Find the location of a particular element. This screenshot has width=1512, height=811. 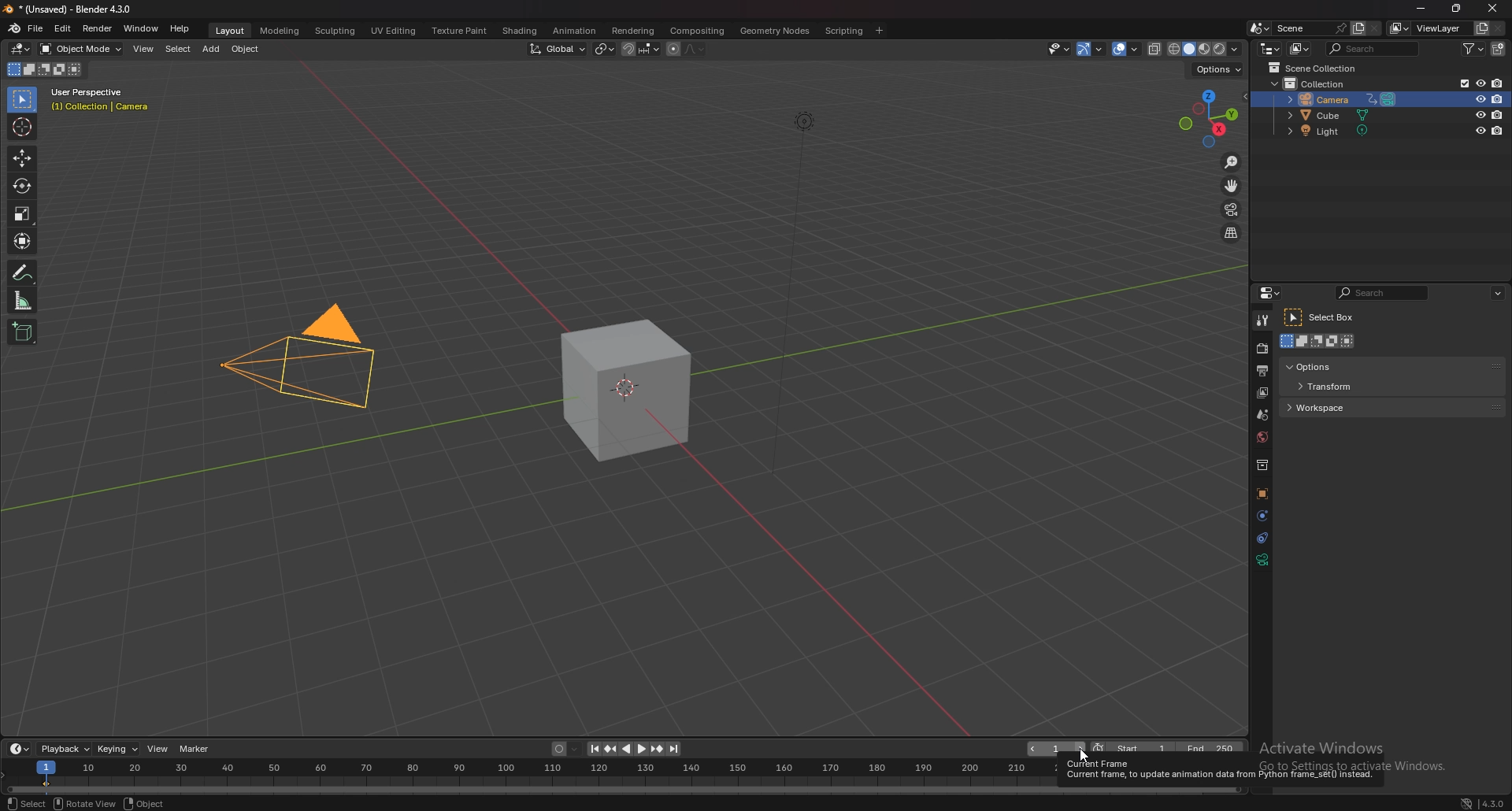

add workspace is located at coordinates (880, 29).